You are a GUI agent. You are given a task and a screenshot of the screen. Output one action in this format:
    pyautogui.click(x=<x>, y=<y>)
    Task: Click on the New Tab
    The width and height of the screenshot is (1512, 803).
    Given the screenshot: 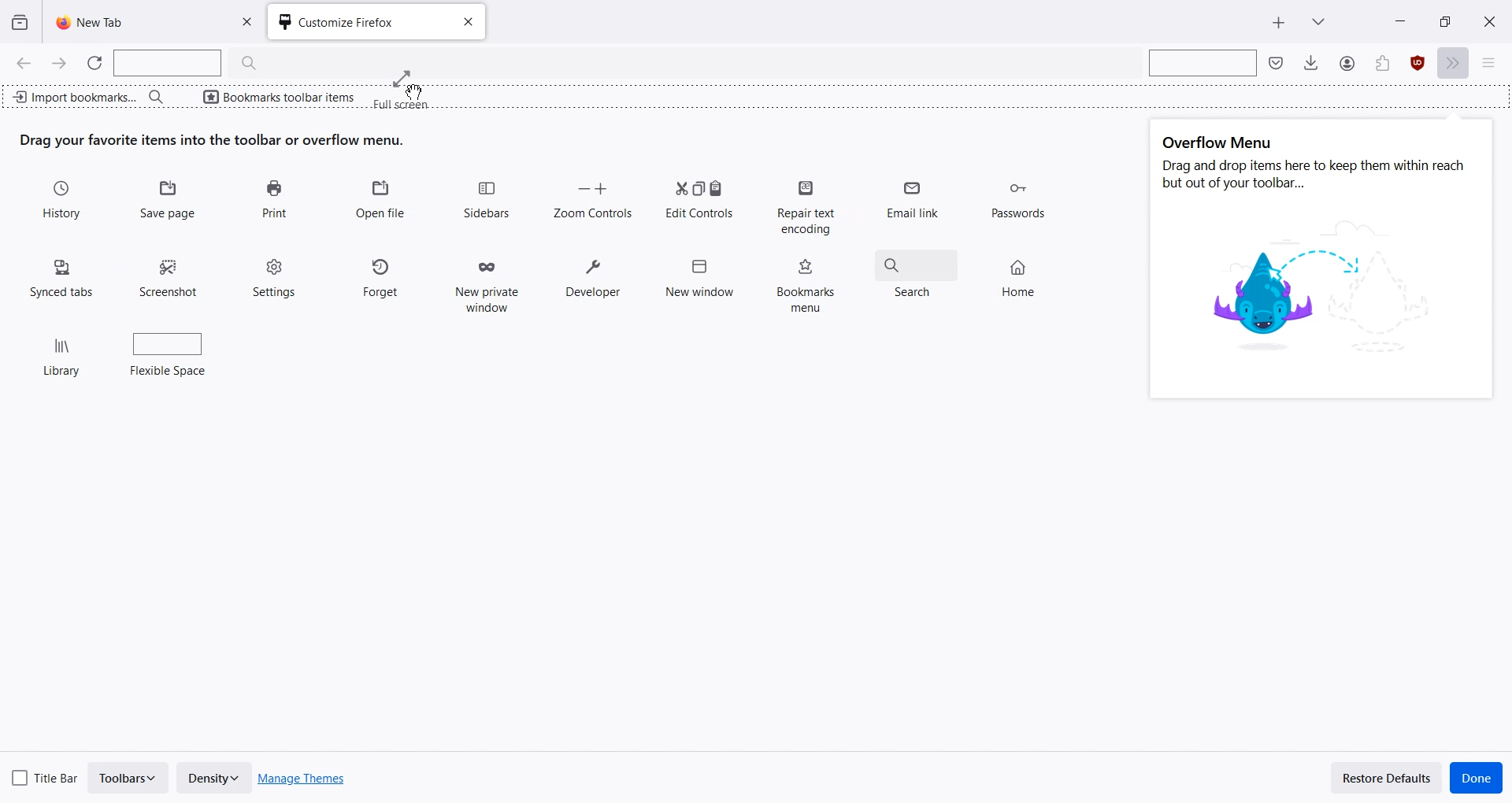 What is the action you would take?
    pyautogui.click(x=1279, y=23)
    